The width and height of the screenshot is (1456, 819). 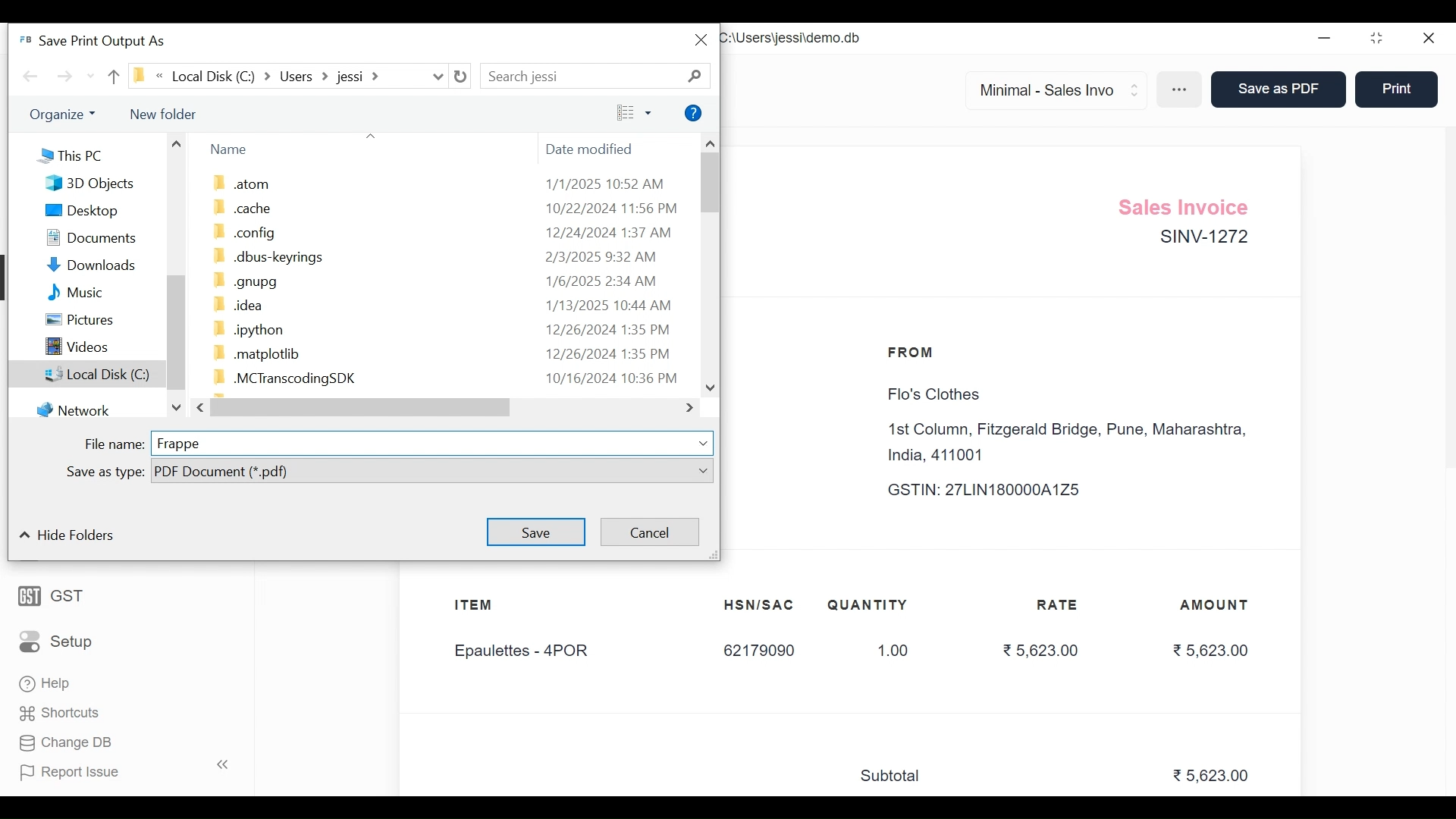 What do you see at coordinates (73, 536) in the screenshot?
I see `Hide Folder:` at bounding box center [73, 536].